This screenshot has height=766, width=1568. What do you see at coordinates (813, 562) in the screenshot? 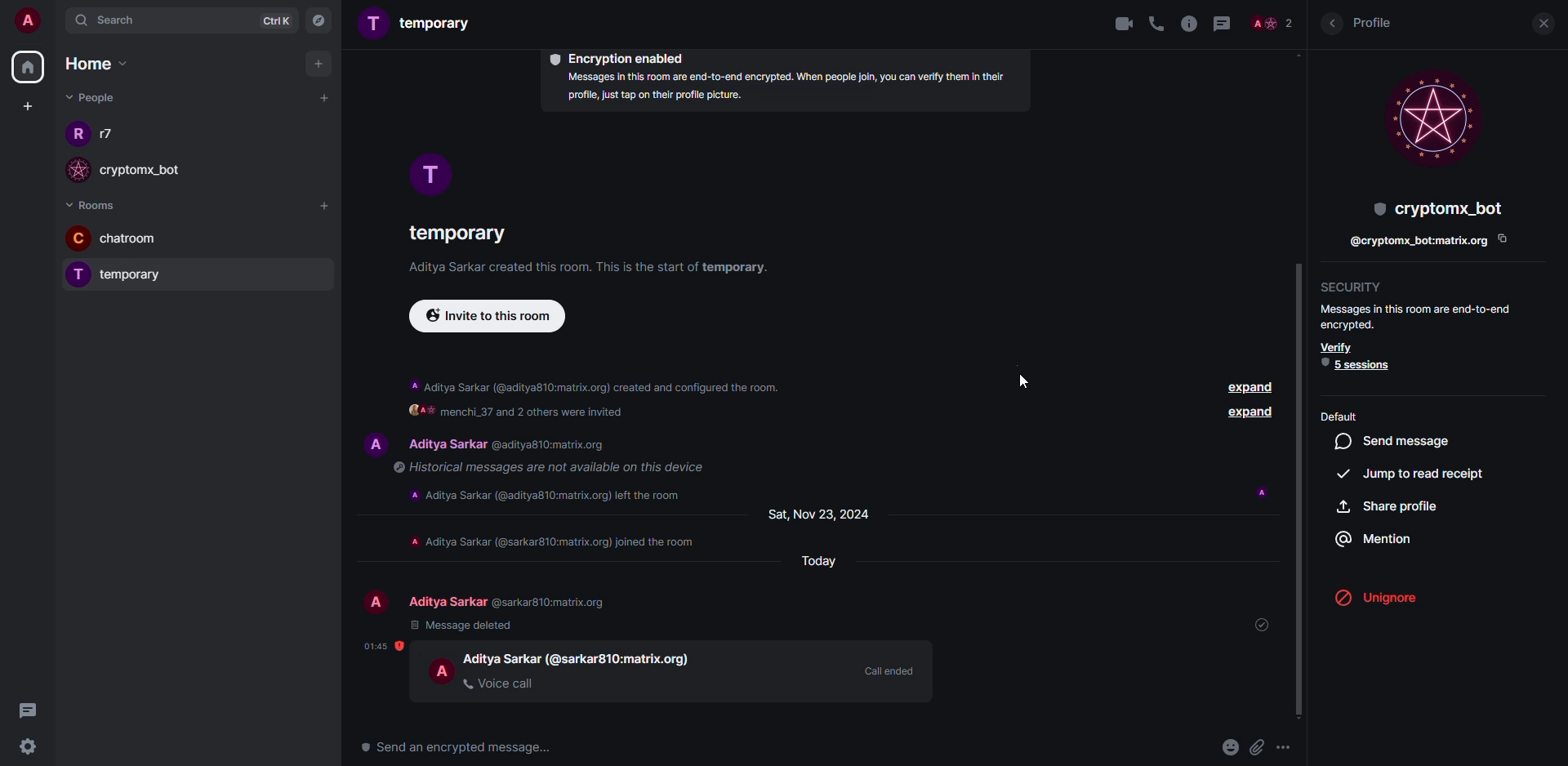
I see `day` at bounding box center [813, 562].